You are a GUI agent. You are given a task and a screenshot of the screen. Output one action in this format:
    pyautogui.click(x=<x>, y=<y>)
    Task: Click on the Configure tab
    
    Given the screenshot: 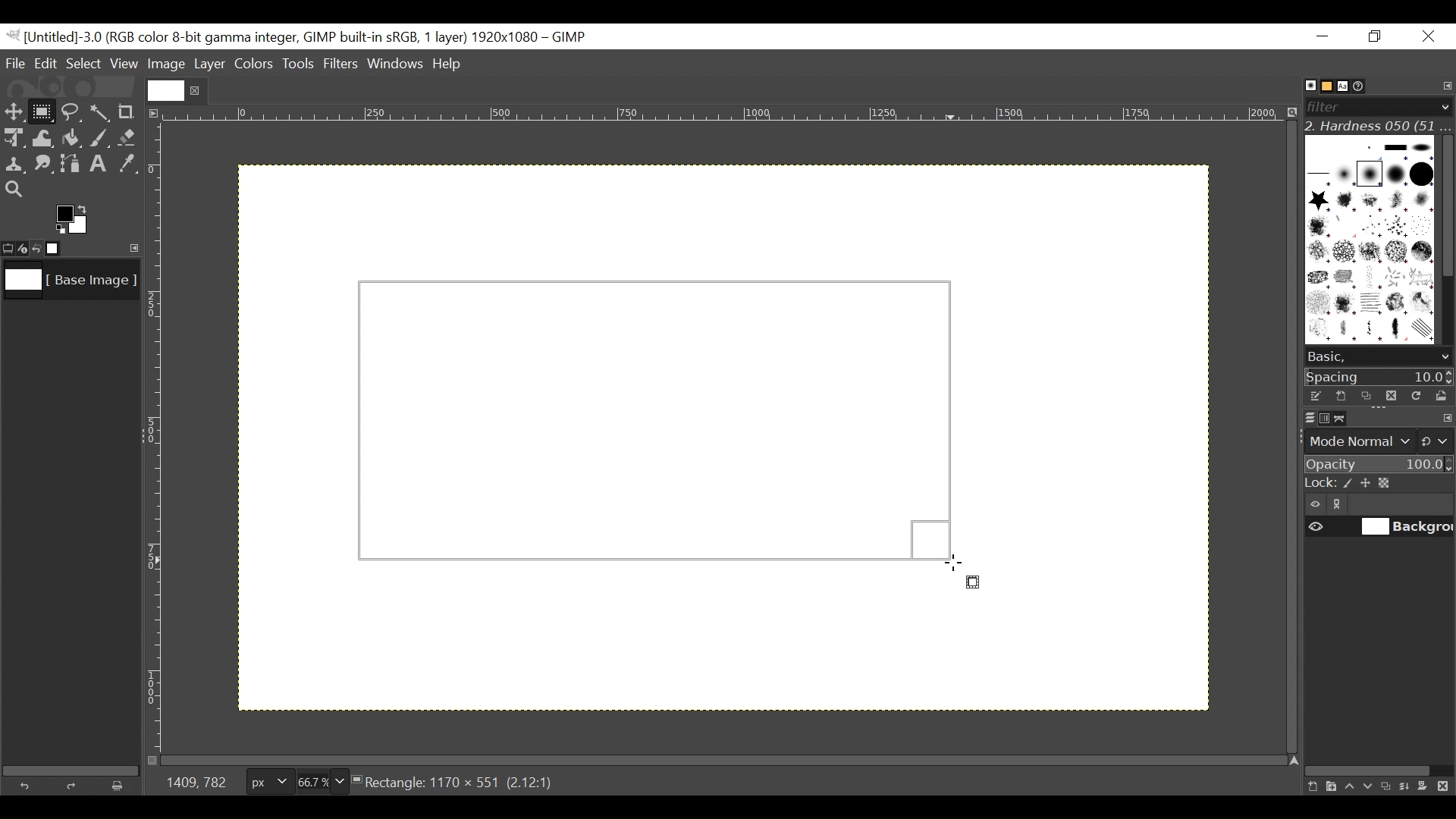 What is the action you would take?
    pyautogui.click(x=1445, y=86)
    